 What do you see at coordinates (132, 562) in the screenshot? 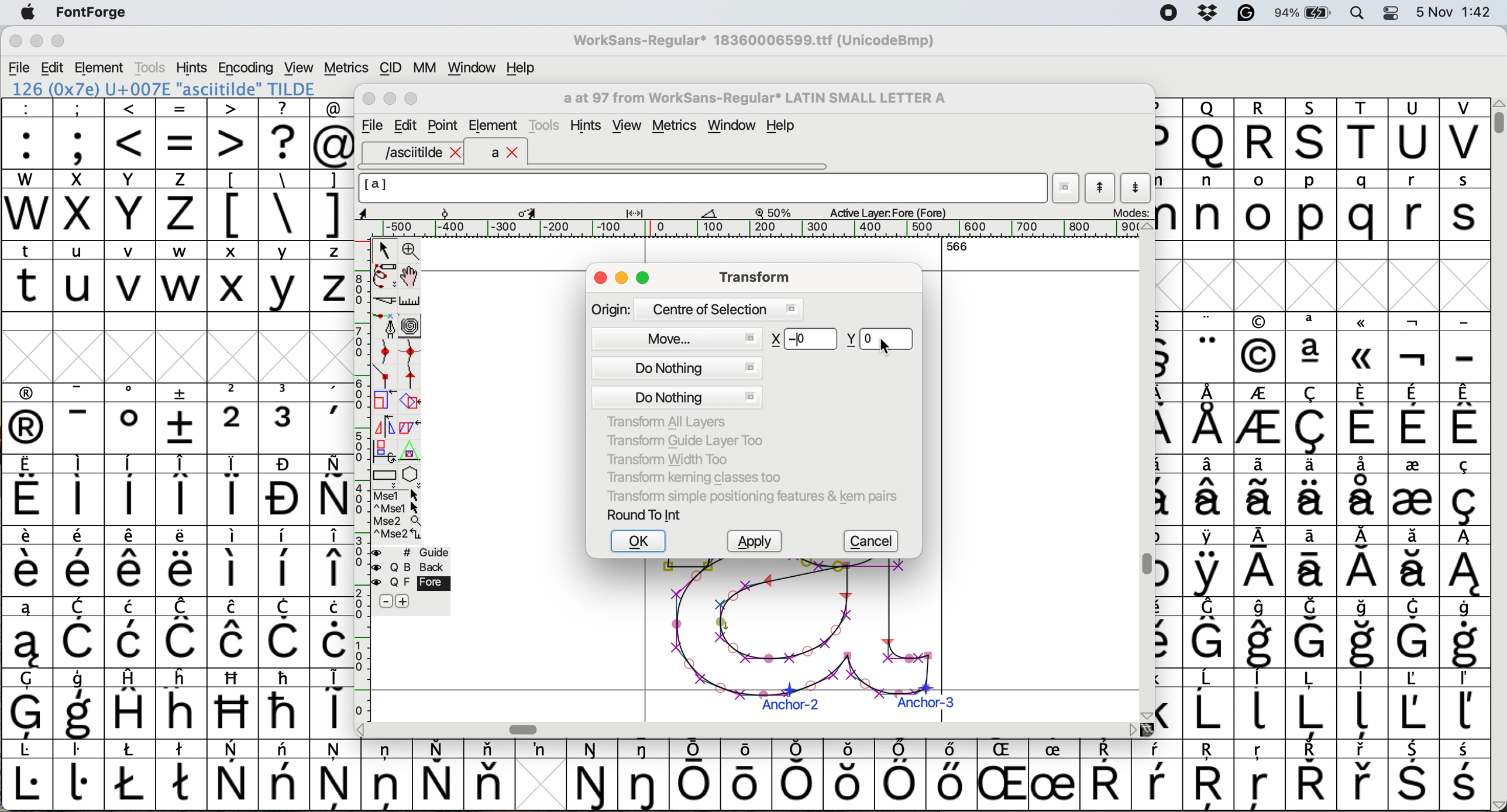
I see `symbol` at bounding box center [132, 562].